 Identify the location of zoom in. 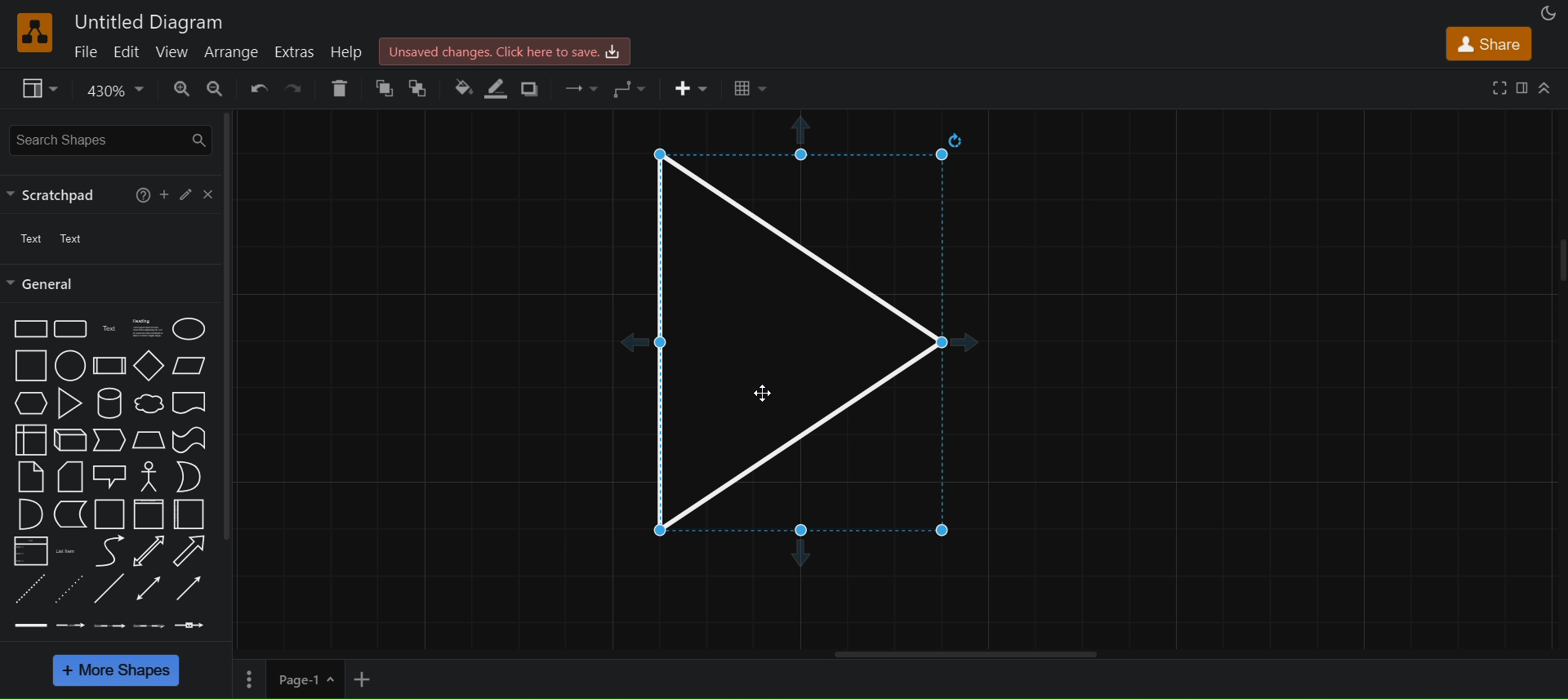
(181, 89).